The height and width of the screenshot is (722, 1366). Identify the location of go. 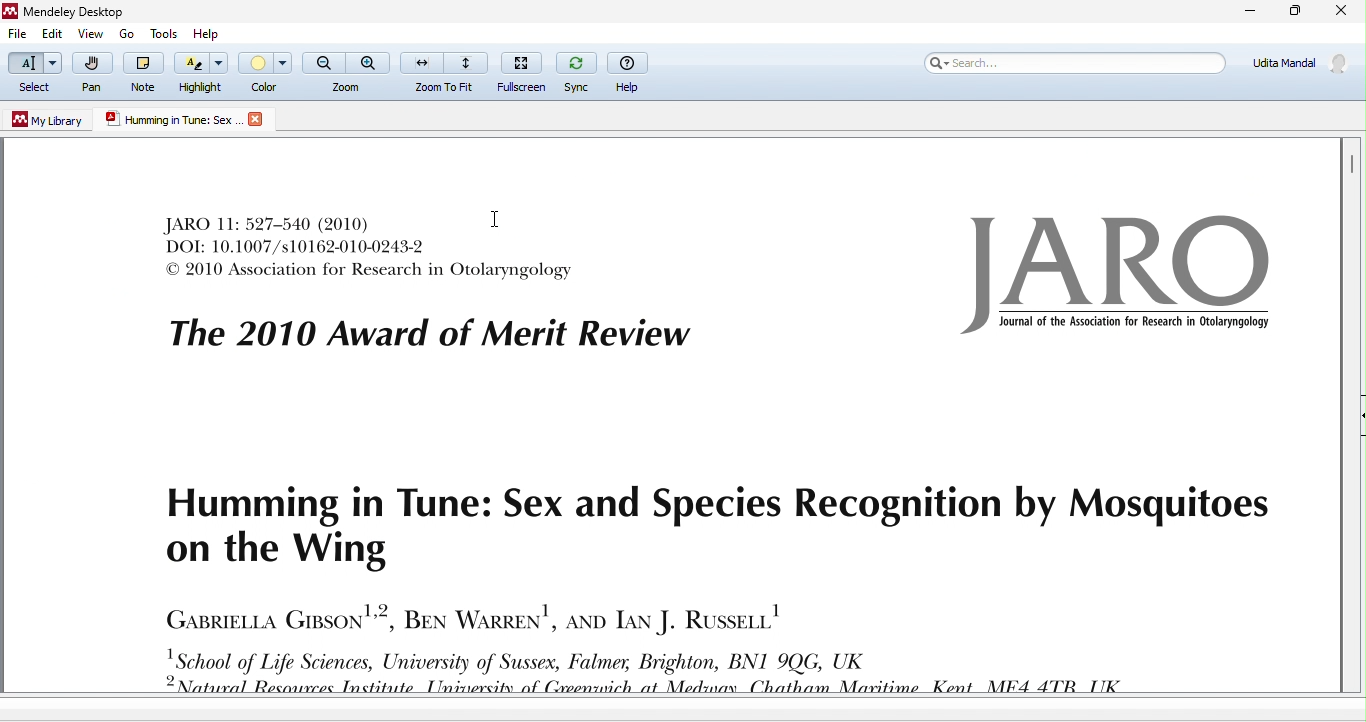
(124, 34).